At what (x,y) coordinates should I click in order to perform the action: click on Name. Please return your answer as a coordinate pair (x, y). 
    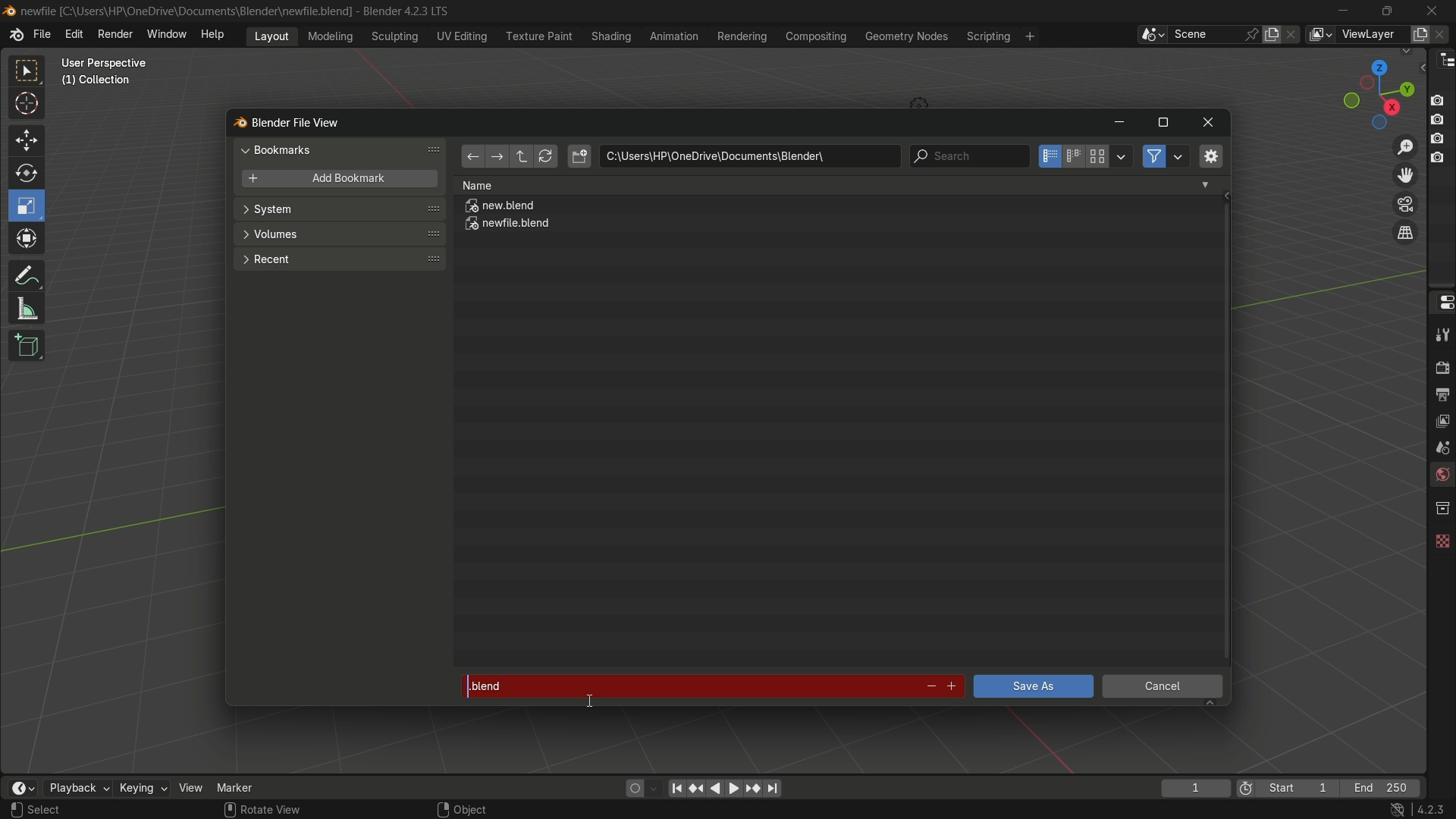
    Looking at the image, I should click on (836, 185).